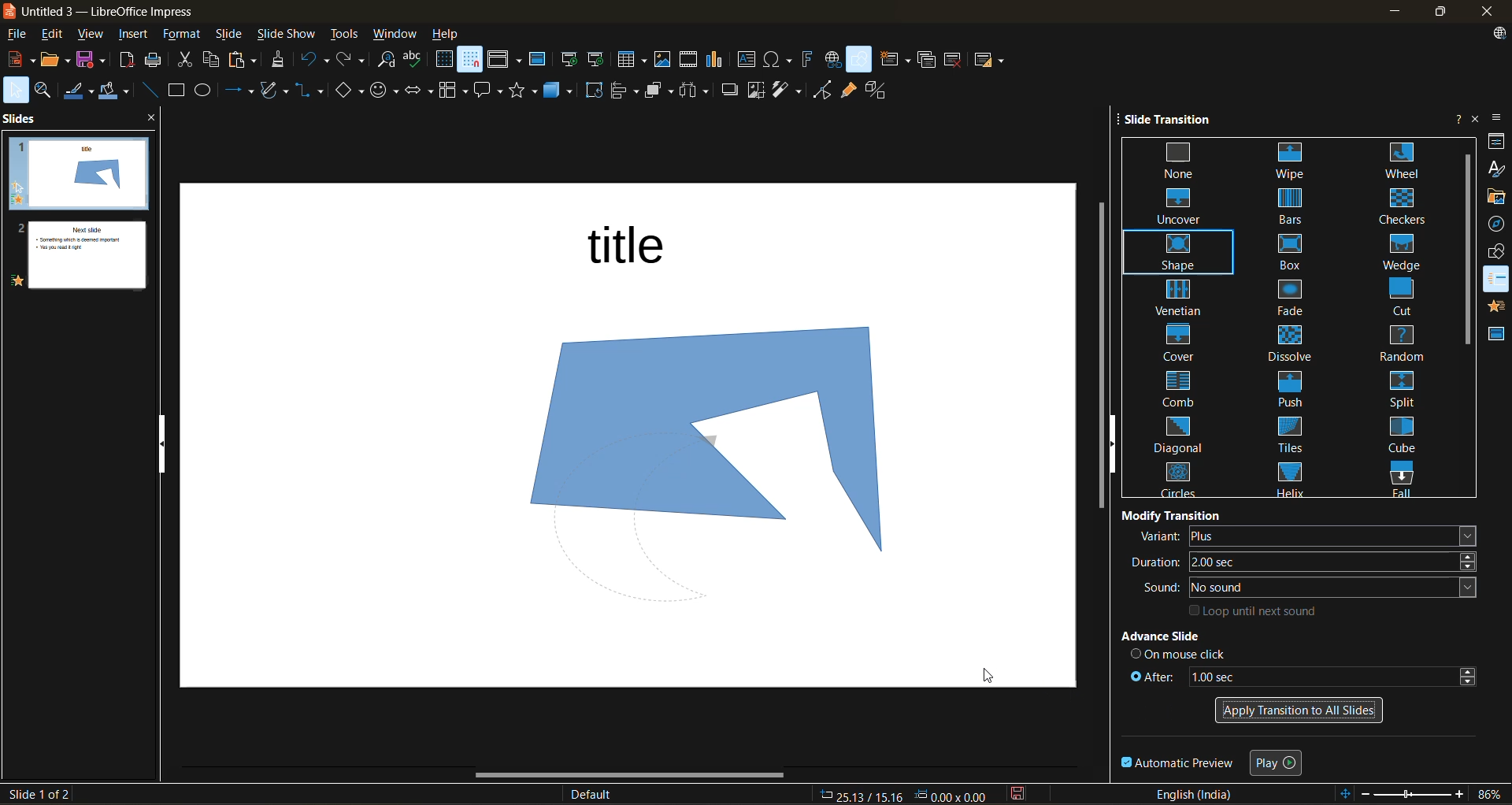 The image size is (1512, 805). I want to click on slideshow, so click(289, 33).